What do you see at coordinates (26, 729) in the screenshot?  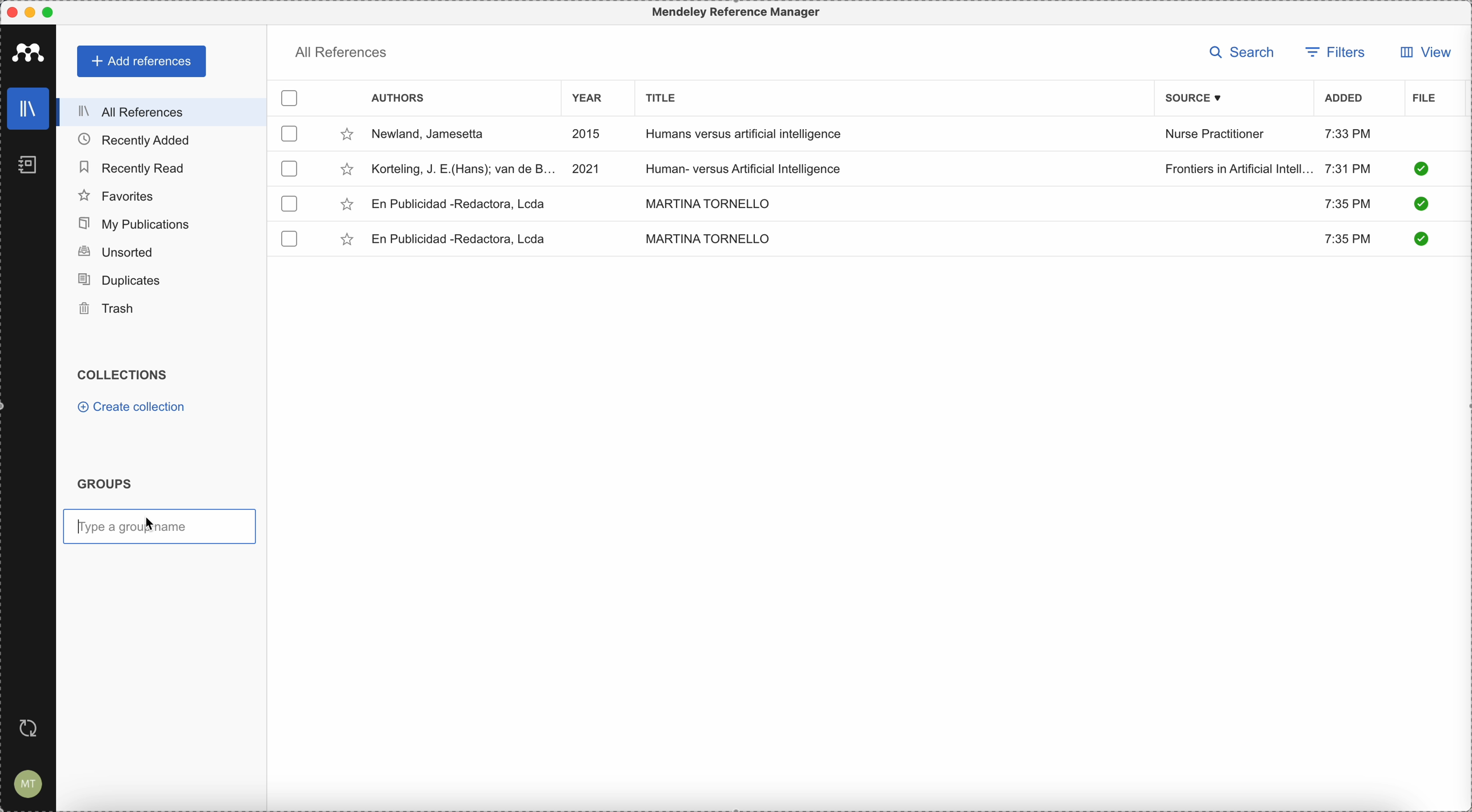 I see `last sync` at bounding box center [26, 729].